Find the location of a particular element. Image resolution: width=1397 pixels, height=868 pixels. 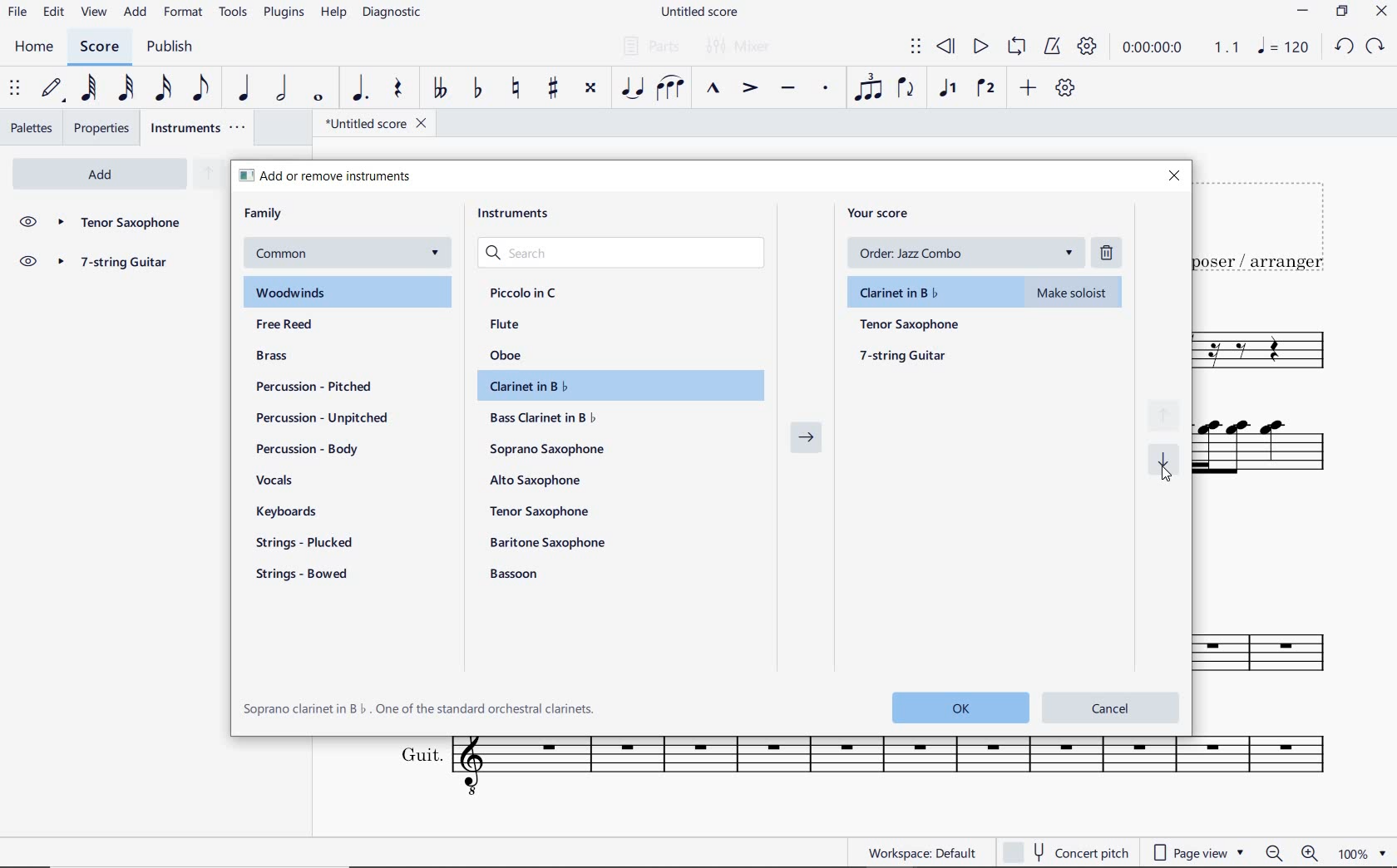

move selected instrument down is located at coordinates (1167, 460).